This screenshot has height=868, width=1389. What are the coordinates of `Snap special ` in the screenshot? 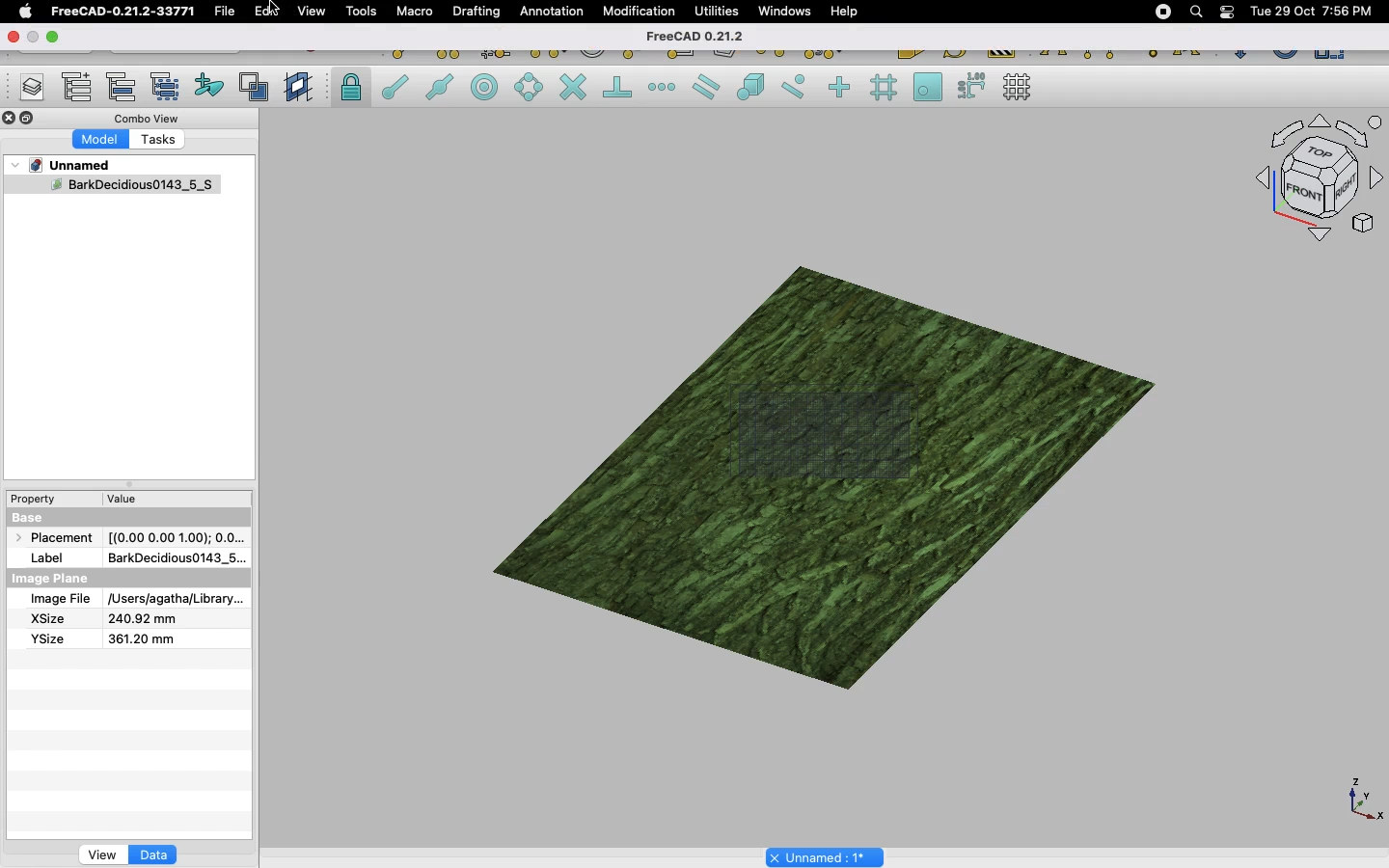 It's located at (754, 89).